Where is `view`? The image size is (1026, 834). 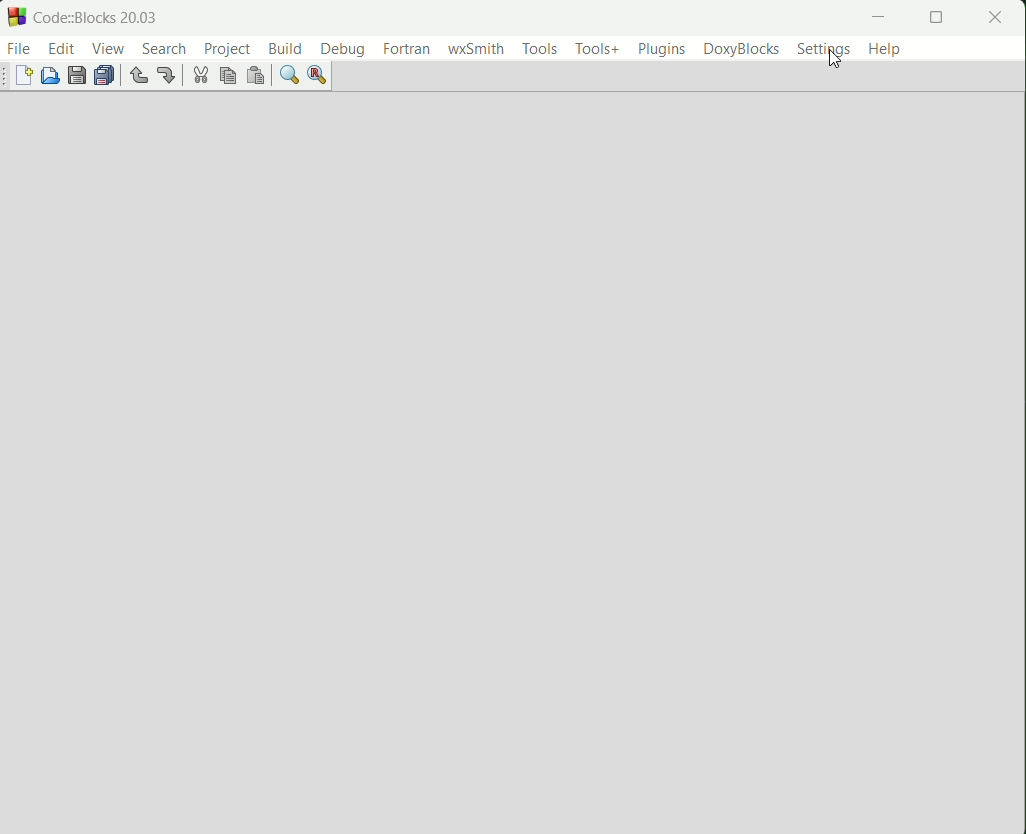
view is located at coordinates (108, 49).